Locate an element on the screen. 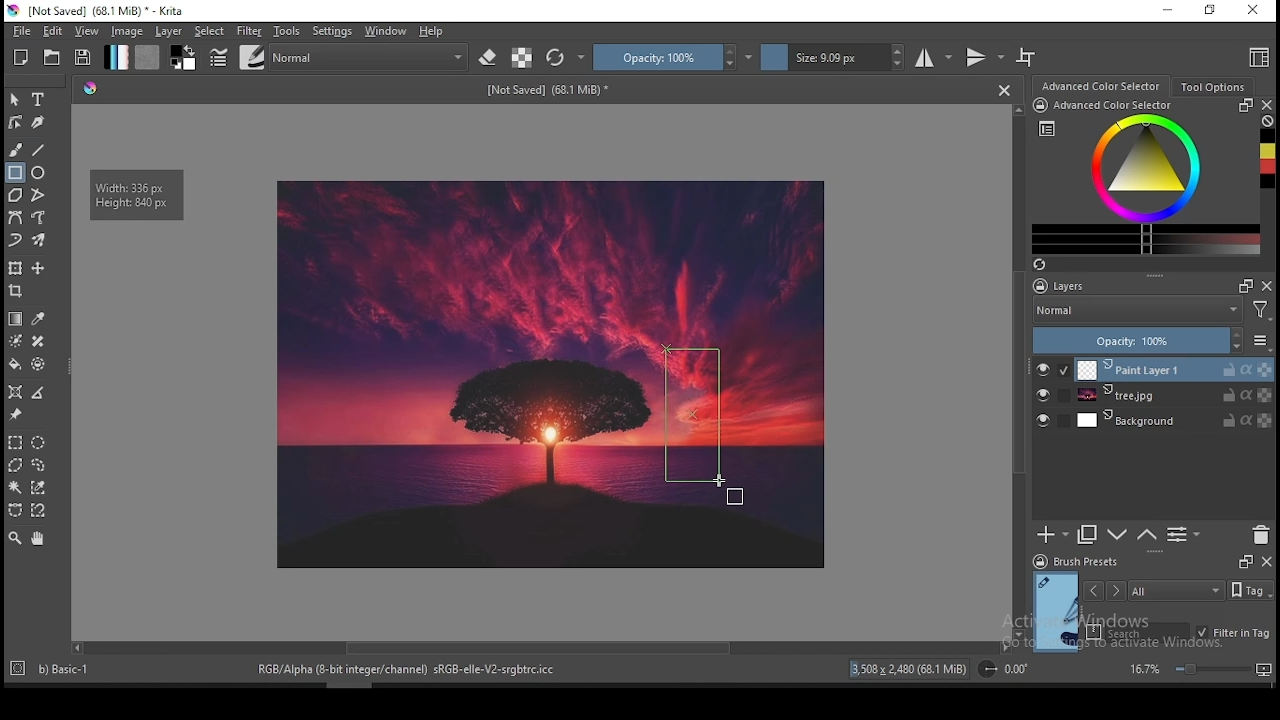  blending mode is located at coordinates (1155, 310).